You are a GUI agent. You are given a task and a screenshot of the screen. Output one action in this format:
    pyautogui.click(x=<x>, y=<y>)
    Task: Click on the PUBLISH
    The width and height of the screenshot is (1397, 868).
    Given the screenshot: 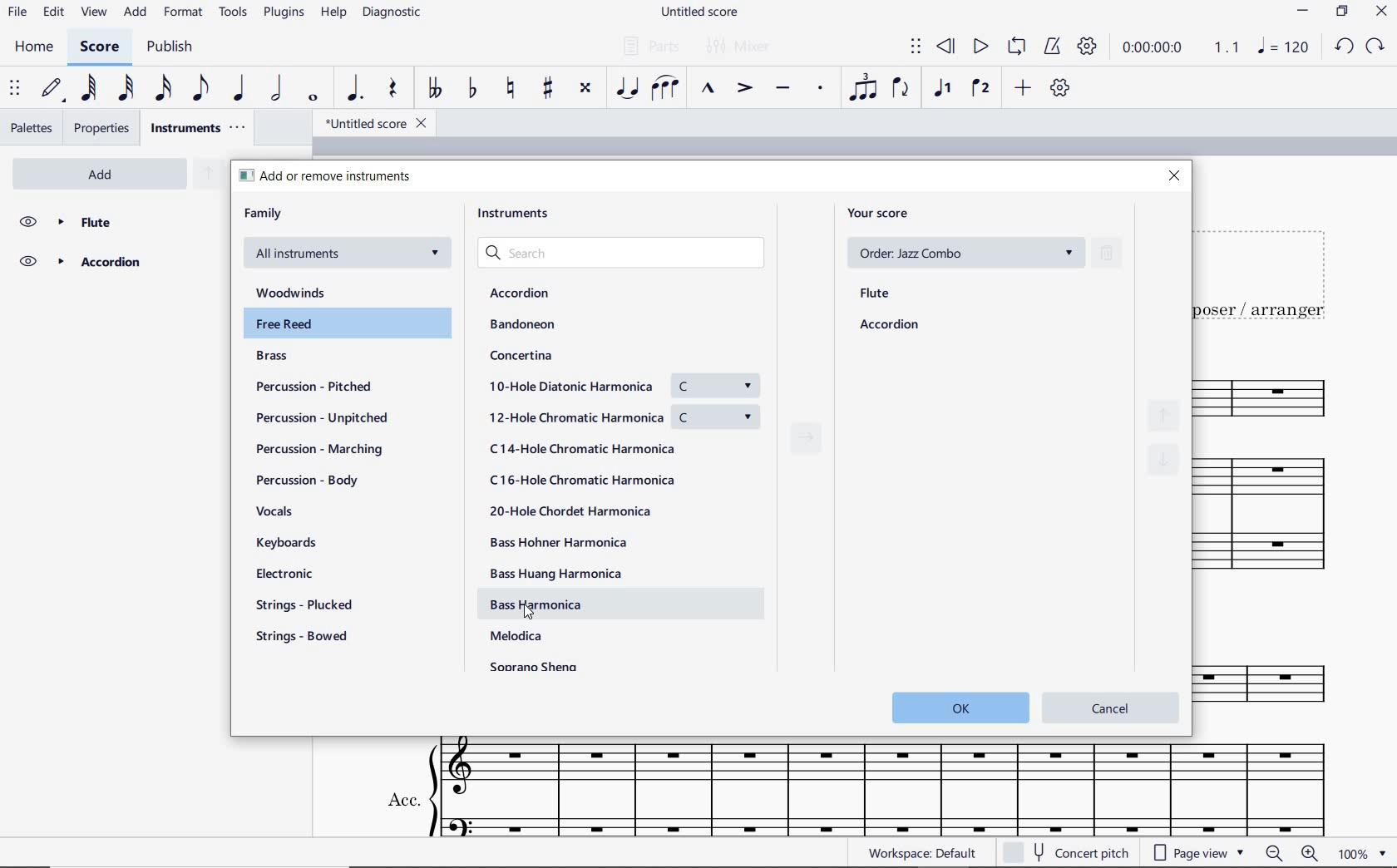 What is the action you would take?
    pyautogui.click(x=172, y=47)
    